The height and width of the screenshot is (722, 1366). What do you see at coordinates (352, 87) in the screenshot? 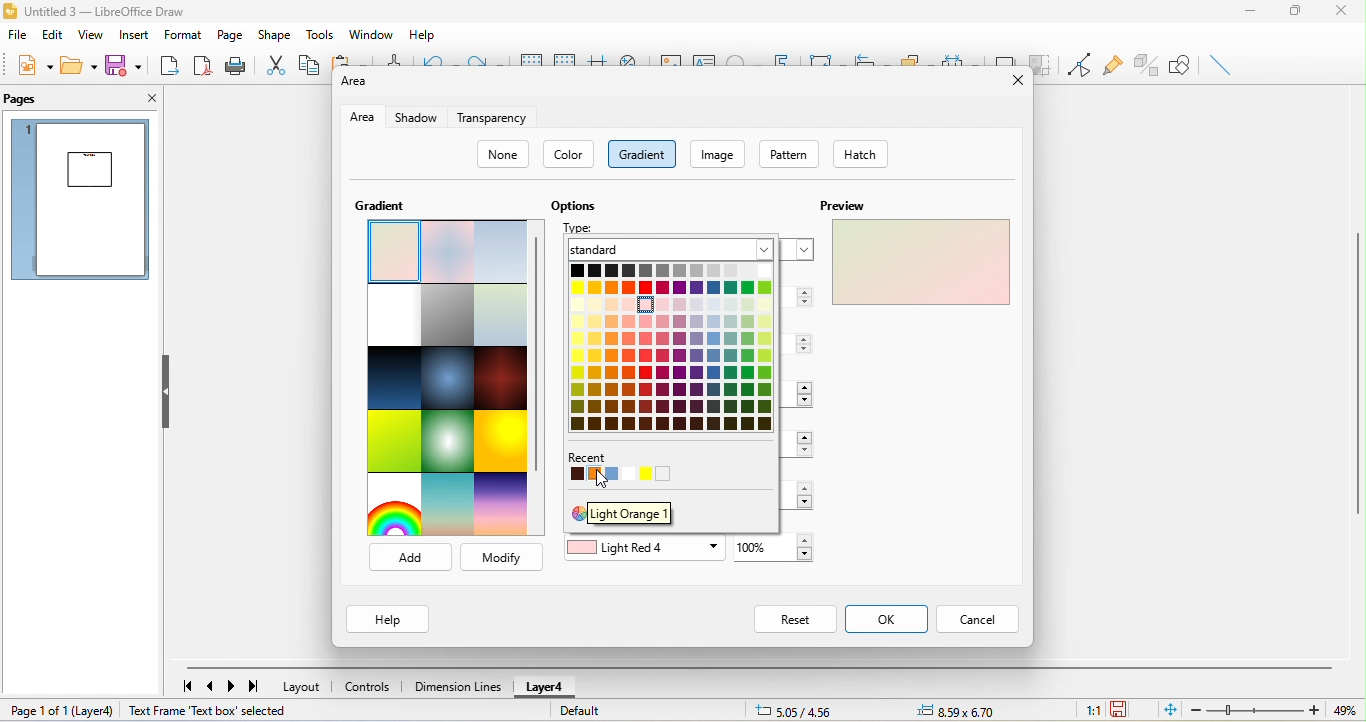
I see `area` at bounding box center [352, 87].